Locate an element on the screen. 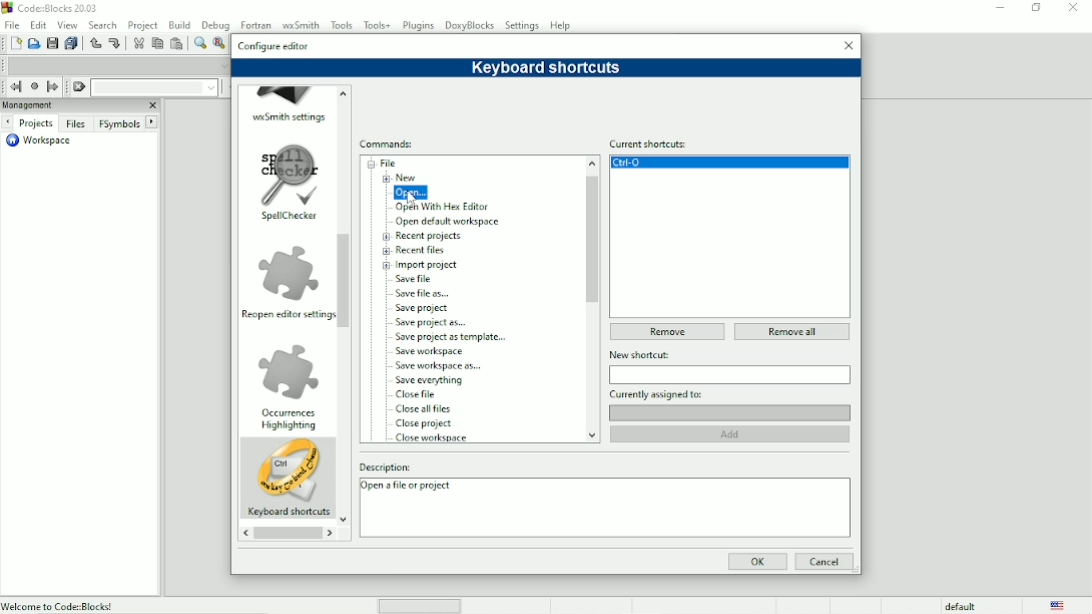 The width and height of the screenshot is (1092, 614). Replace is located at coordinates (220, 44).